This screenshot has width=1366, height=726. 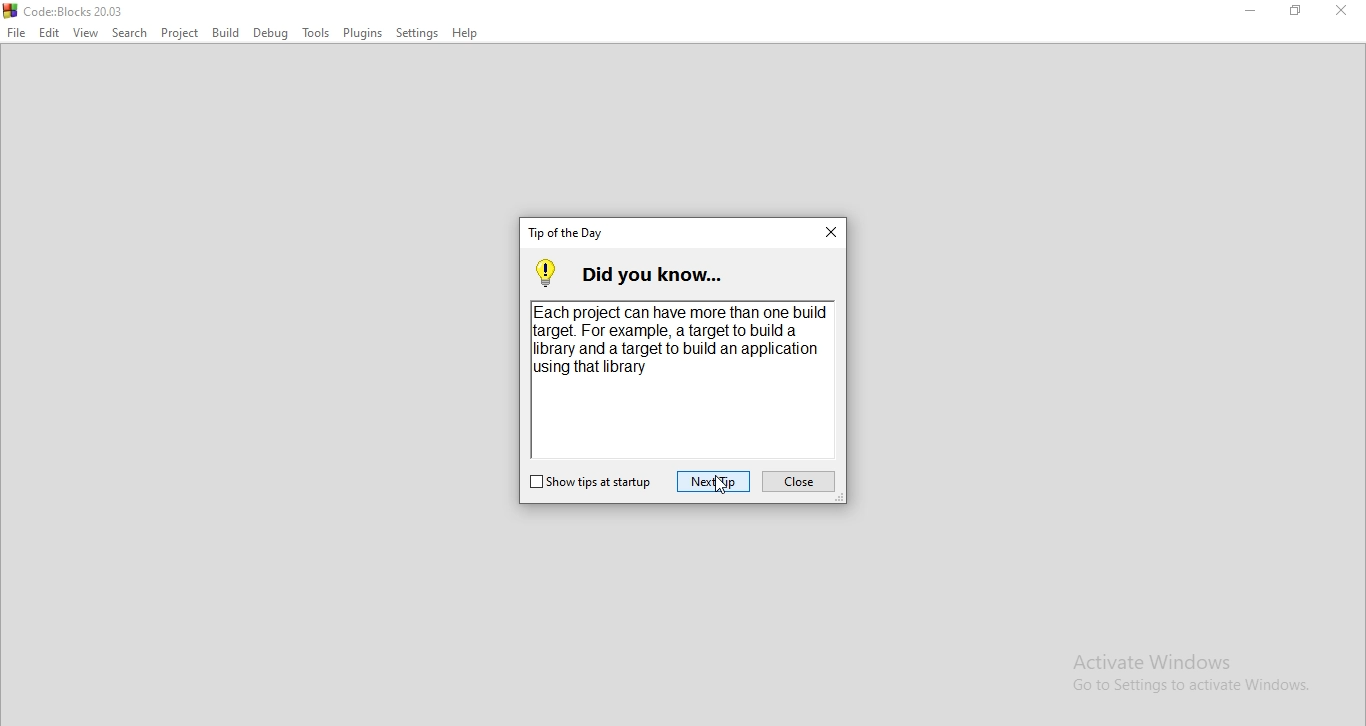 I want to click on Restore, so click(x=1297, y=13).